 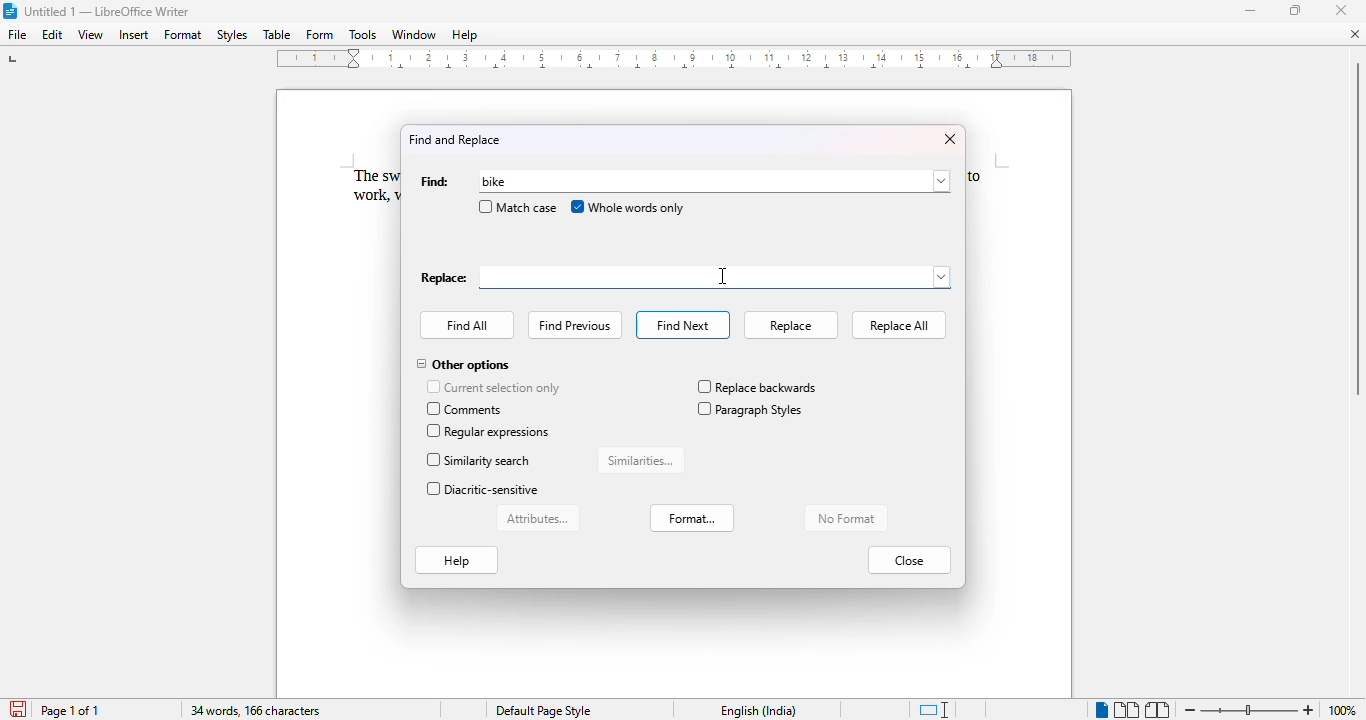 I want to click on standard selection, so click(x=934, y=710).